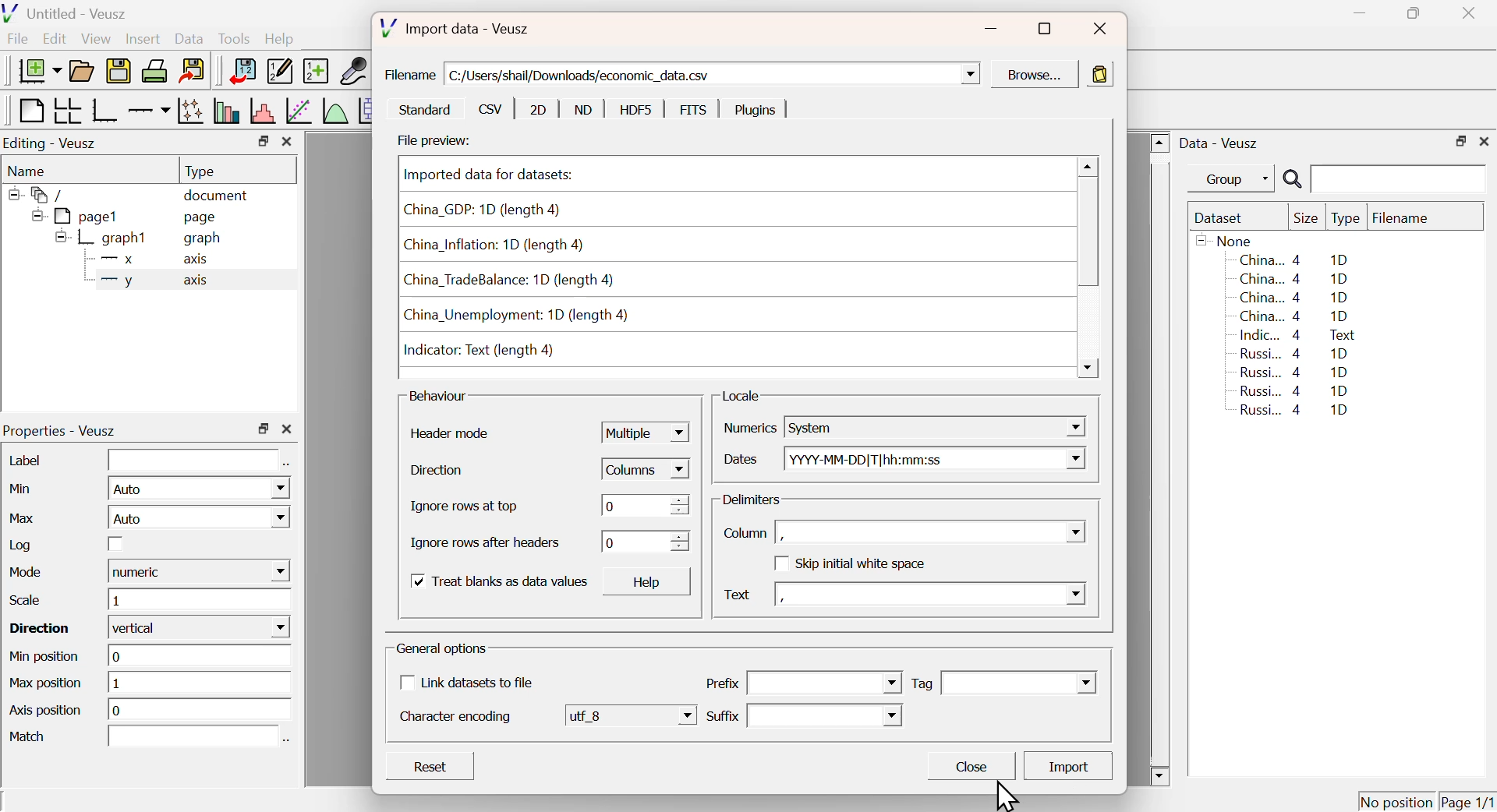 This screenshot has width=1497, height=812. Describe the element at coordinates (1222, 219) in the screenshot. I see `Dataset` at that location.